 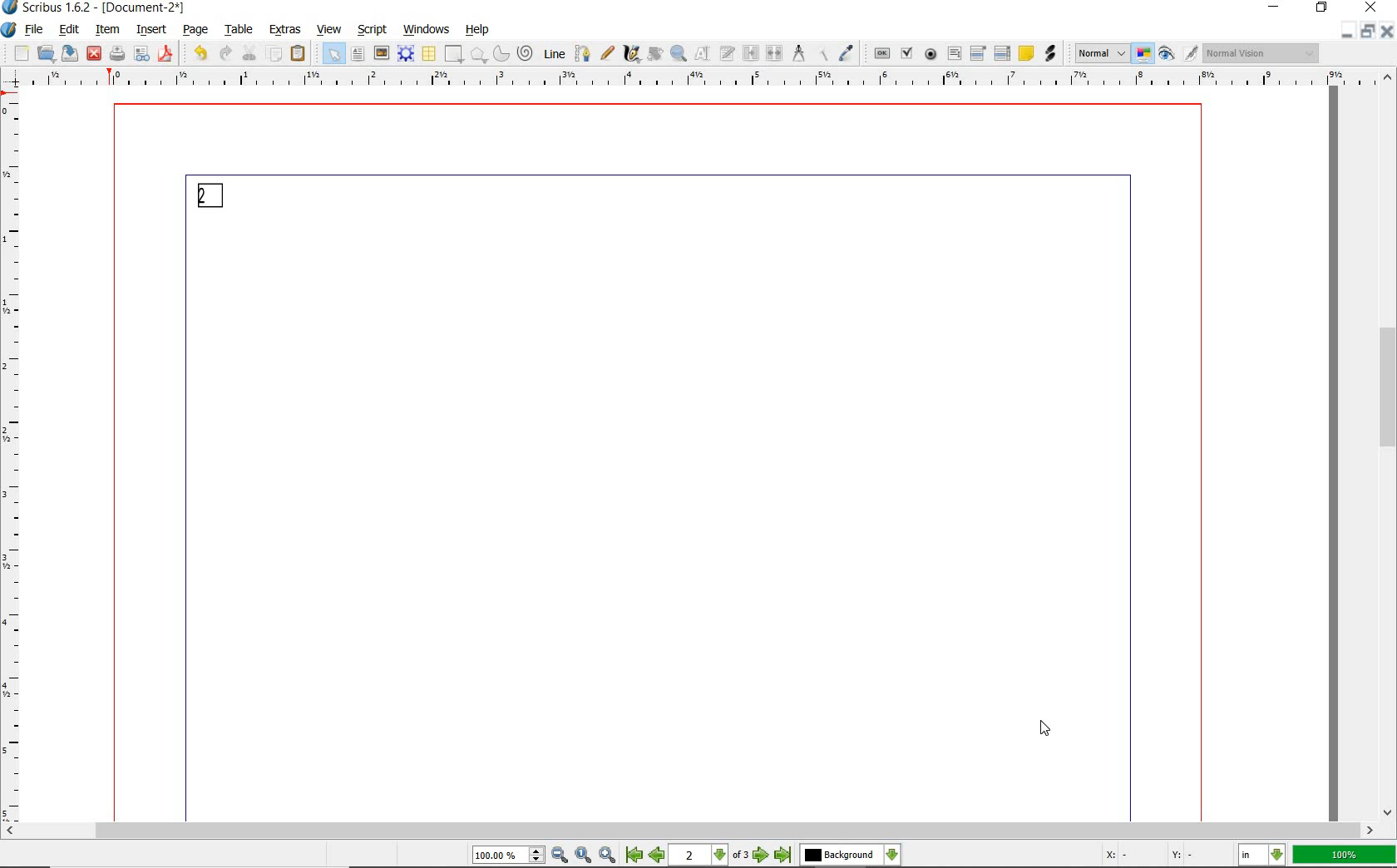 I want to click on Cursor Position AFTER_LAST_ACTION, so click(x=1044, y=728).